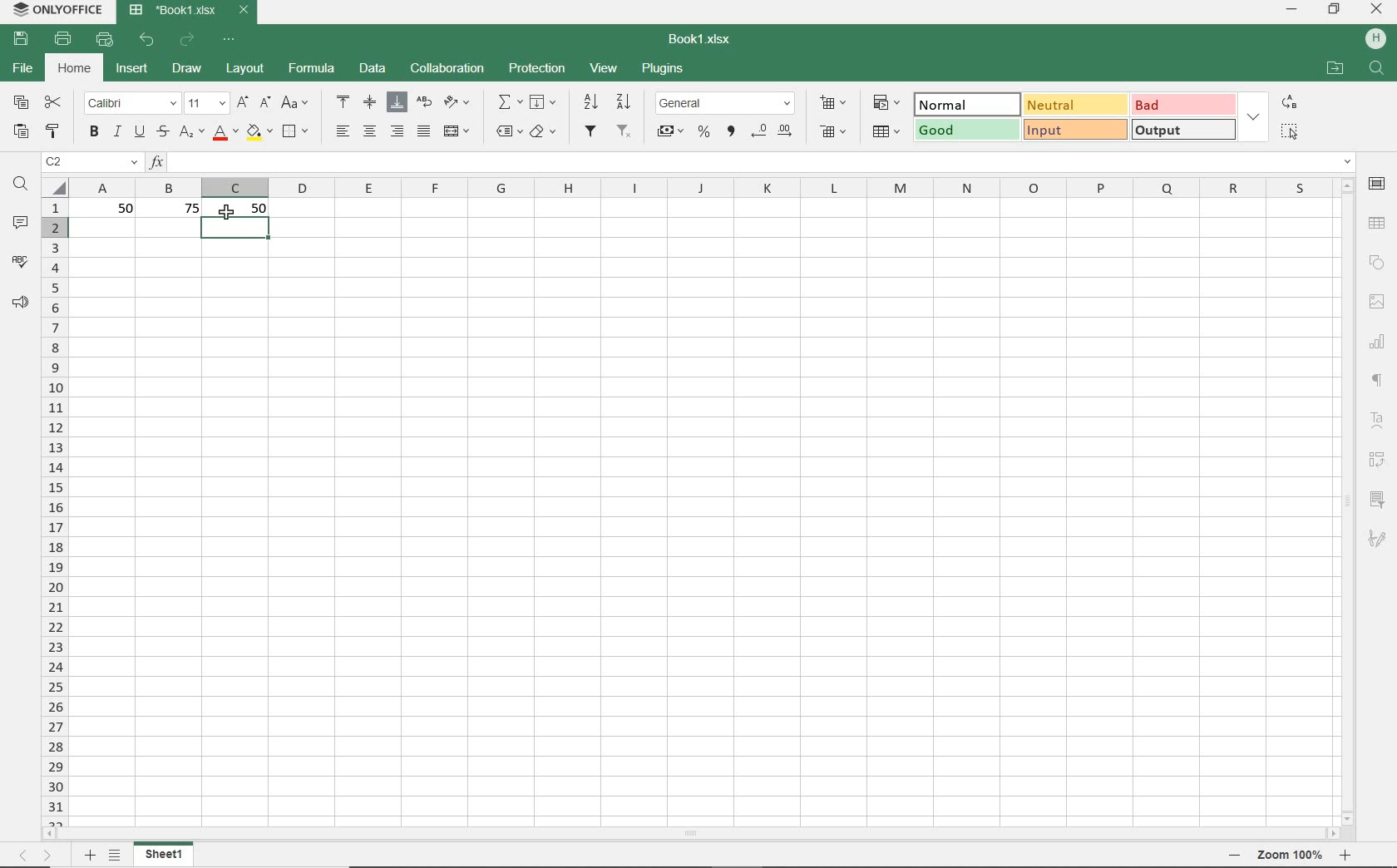  Describe the element at coordinates (1377, 419) in the screenshot. I see `TextArt` at that location.